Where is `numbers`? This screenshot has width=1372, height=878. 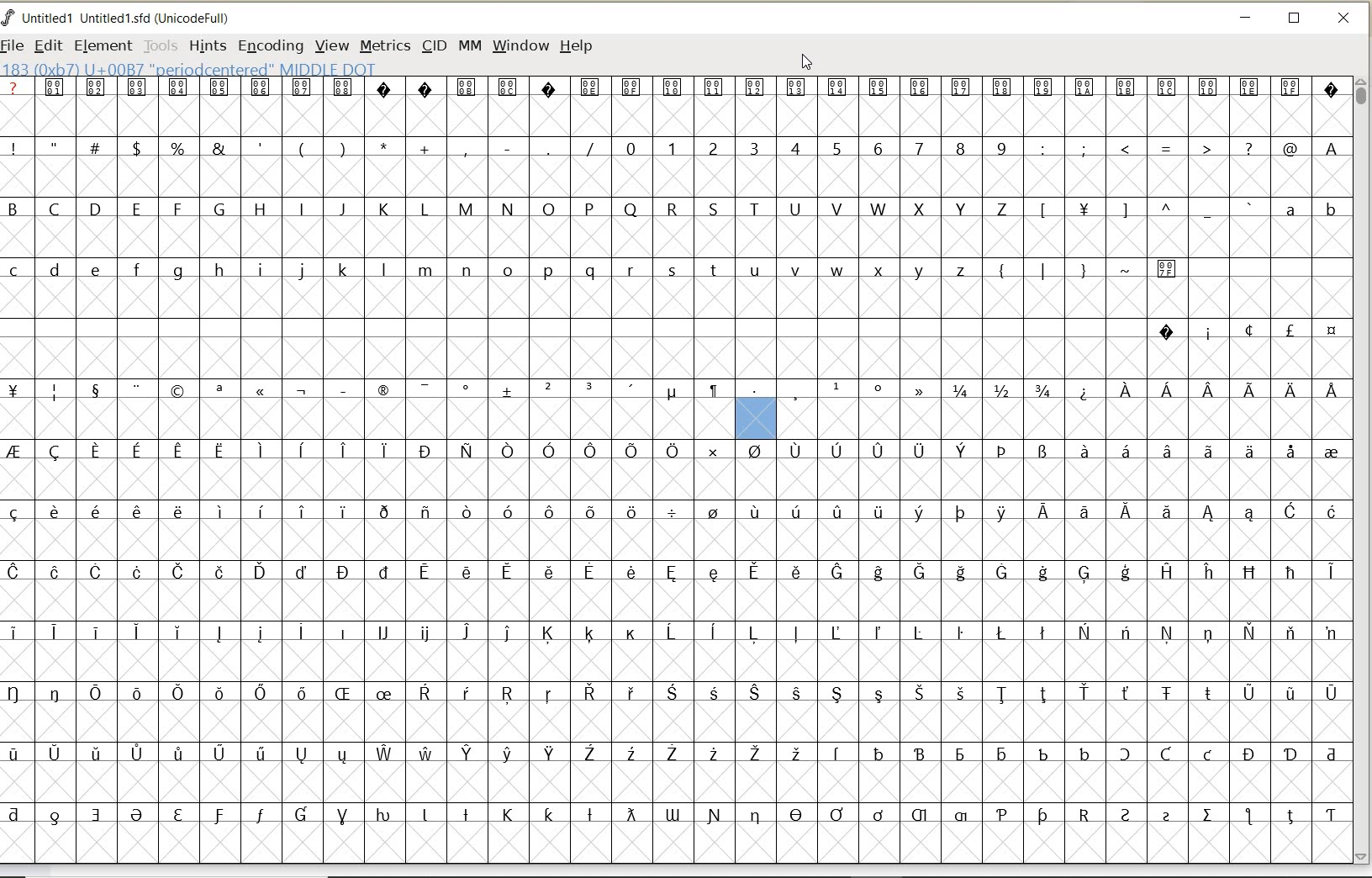
numbers is located at coordinates (812, 147).